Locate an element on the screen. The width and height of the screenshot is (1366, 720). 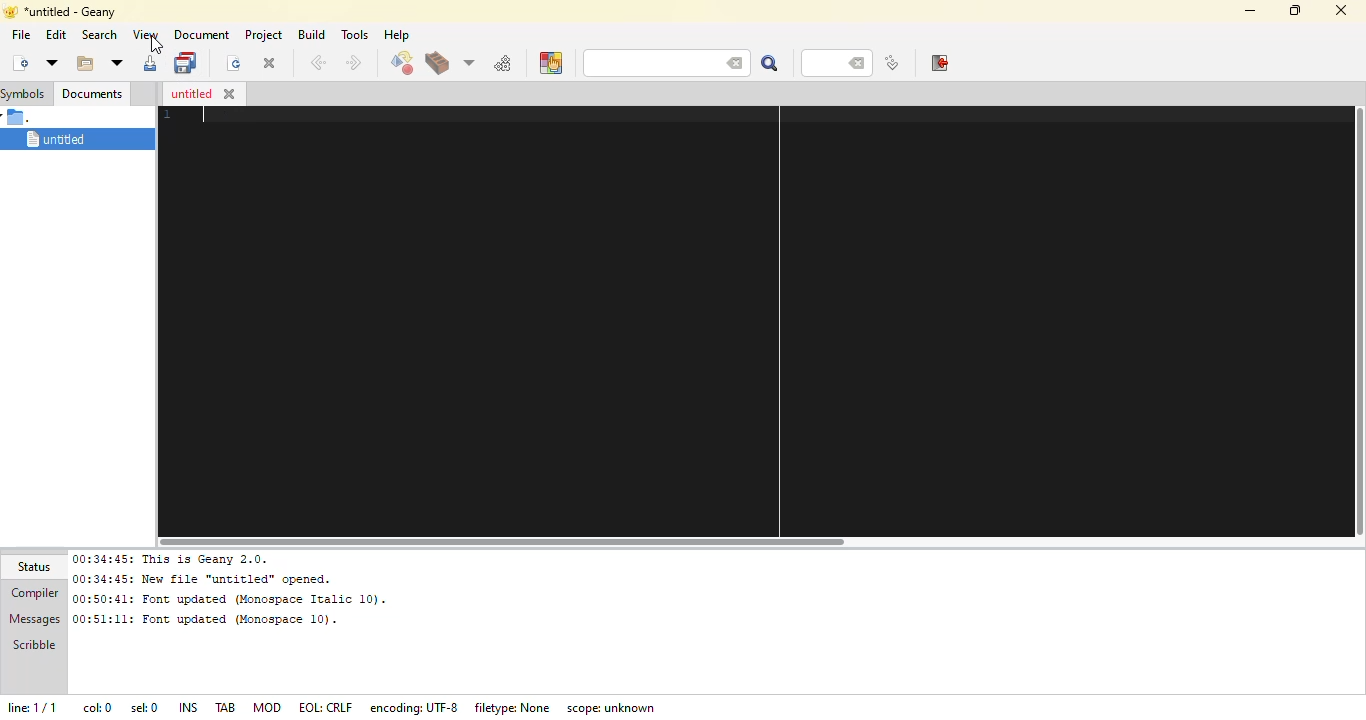
status is located at coordinates (38, 567).